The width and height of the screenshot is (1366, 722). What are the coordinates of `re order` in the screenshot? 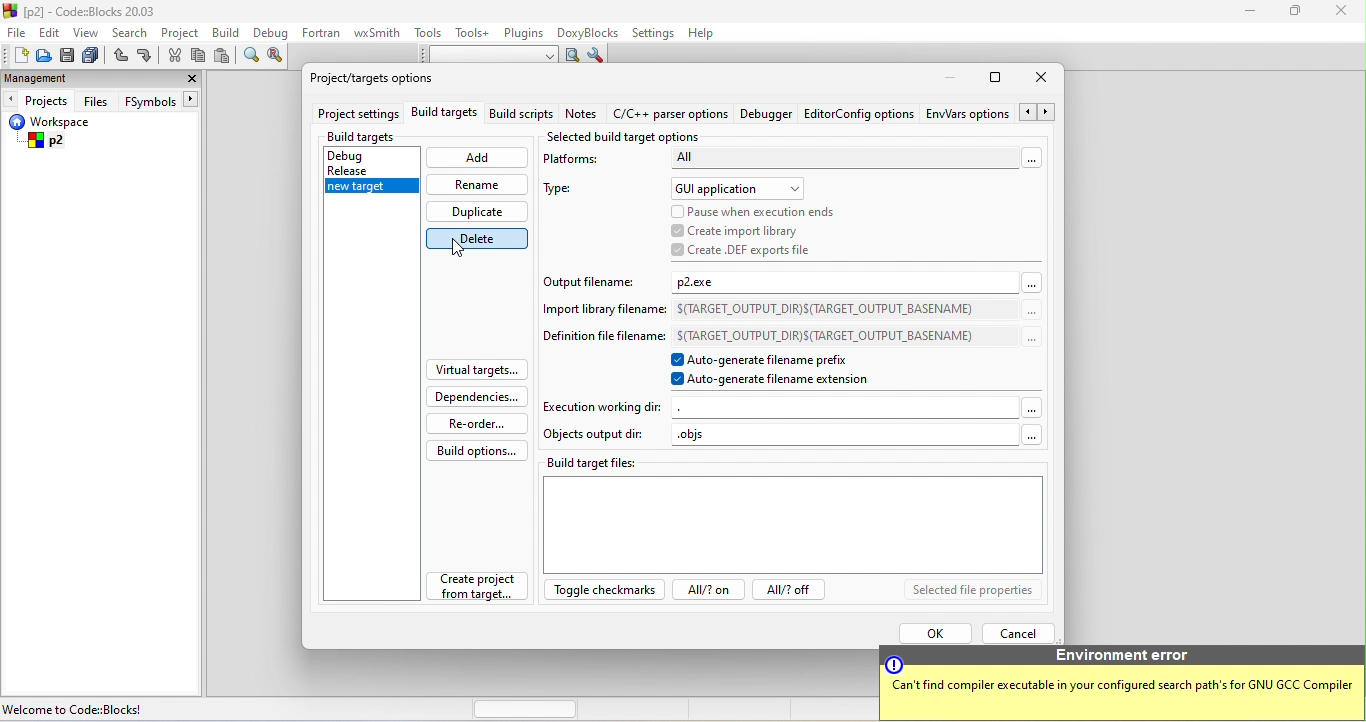 It's located at (473, 423).